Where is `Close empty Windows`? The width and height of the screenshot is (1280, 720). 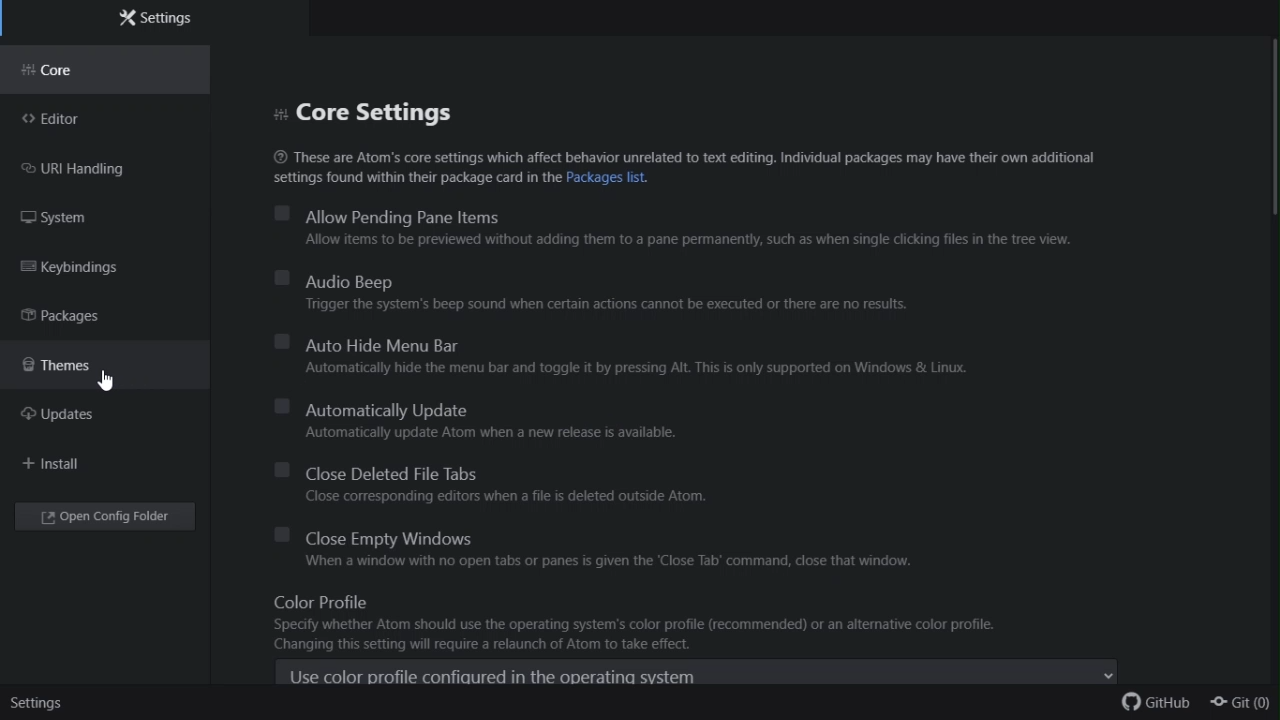
Close empty Windows is located at coordinates (611, 535).